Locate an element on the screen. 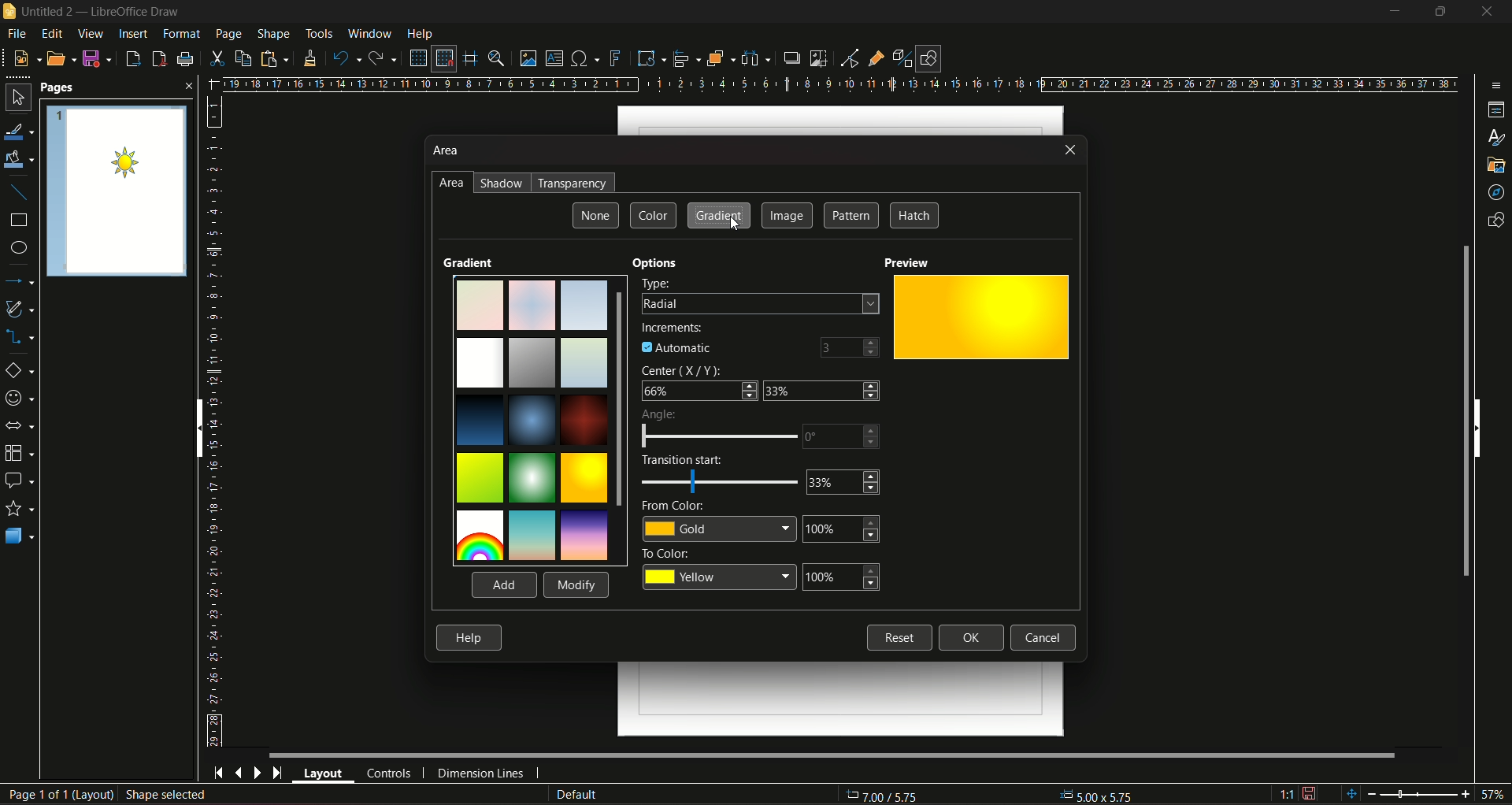 Image resolution: width=1512 pixels, height=805 pixels. image is located at coordinates (787, 214).